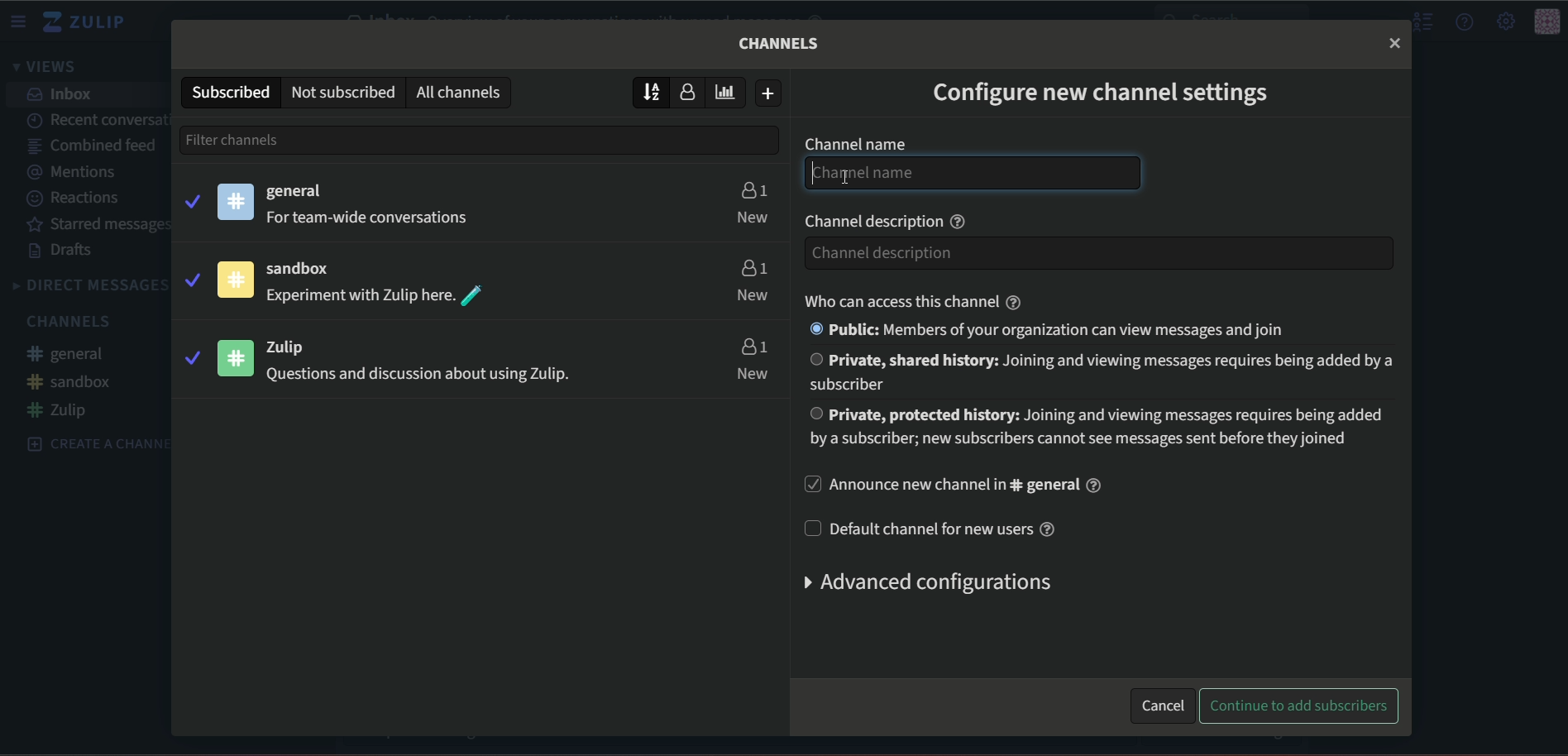  What do you see at coordinates (753, 296) in the screenshot?
I see `new` at bounding box center [753, 296].